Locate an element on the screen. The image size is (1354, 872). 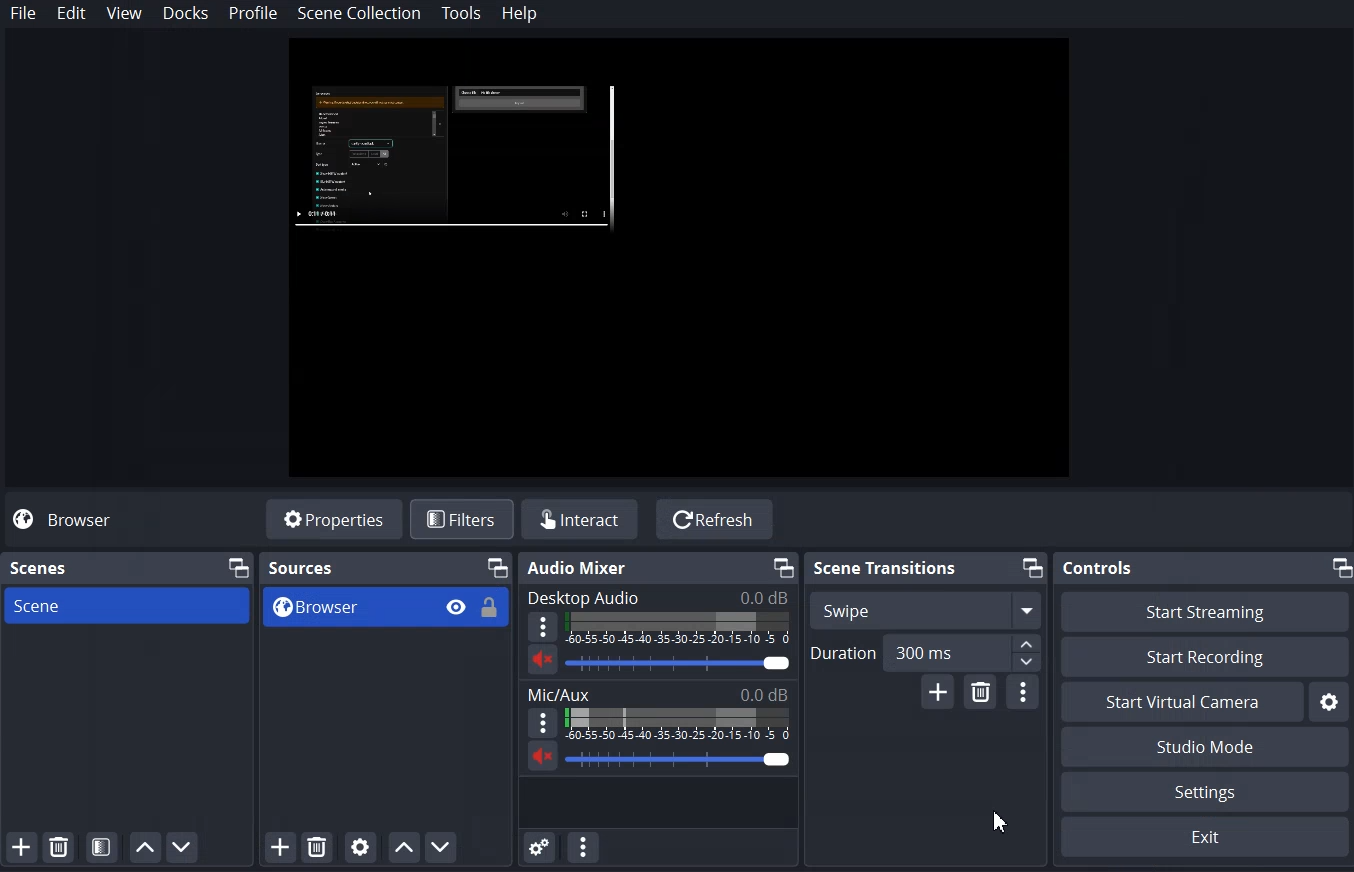
Move Scene Down is located at coordinates (182, 847).